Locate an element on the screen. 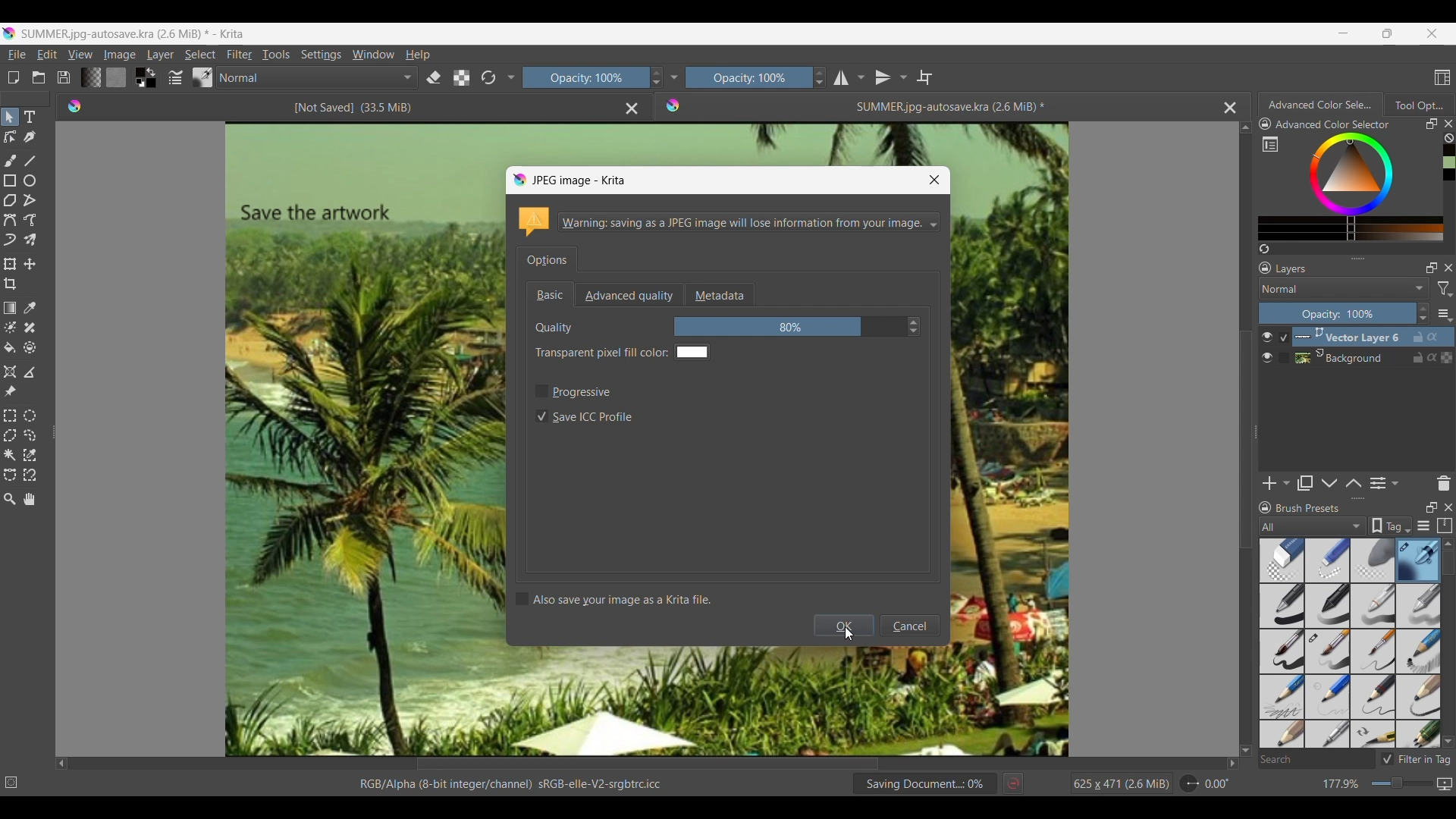 The height and width of the screenshot is (819, 1456). Filter options for brush presets is located at coordinates (1313, 526).